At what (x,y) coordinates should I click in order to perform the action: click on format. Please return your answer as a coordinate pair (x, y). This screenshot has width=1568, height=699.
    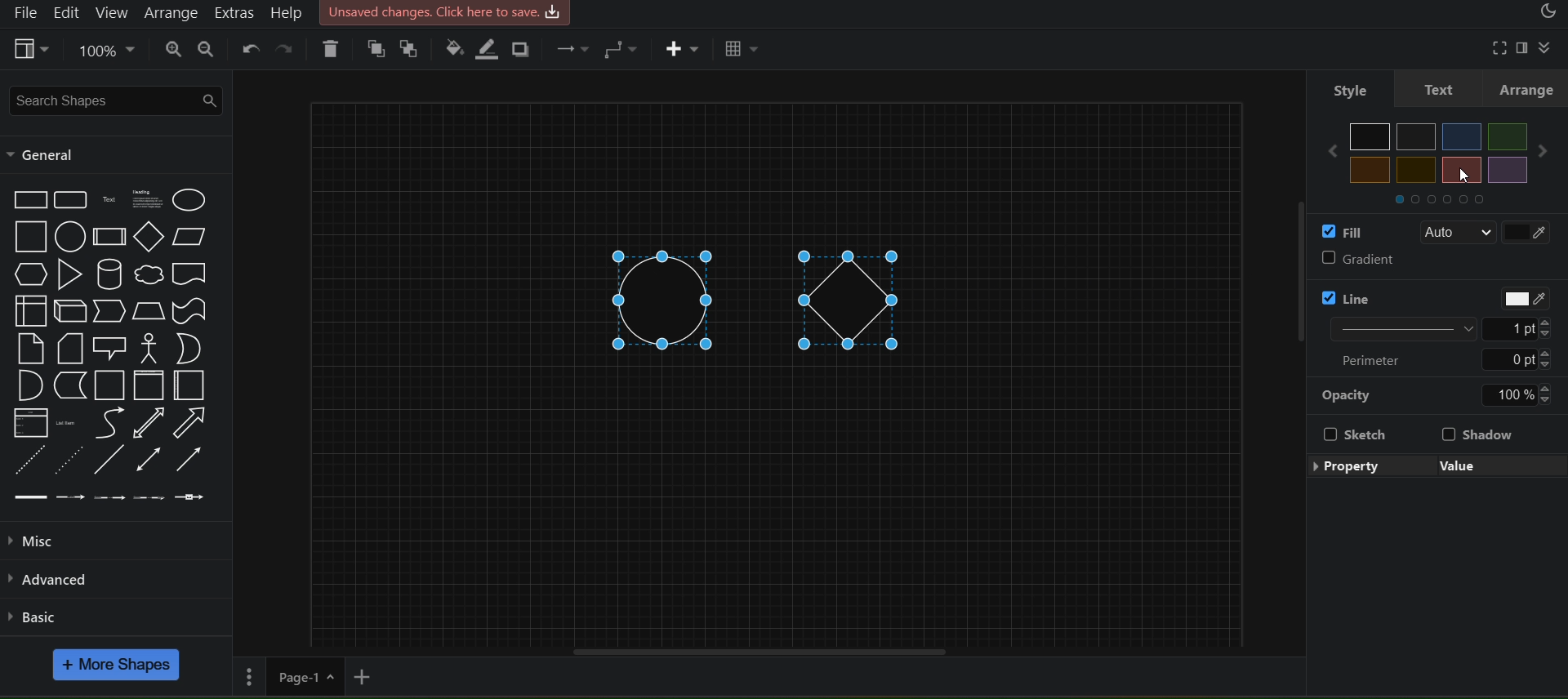
    Looking at the image, I should click on (1521, 48).